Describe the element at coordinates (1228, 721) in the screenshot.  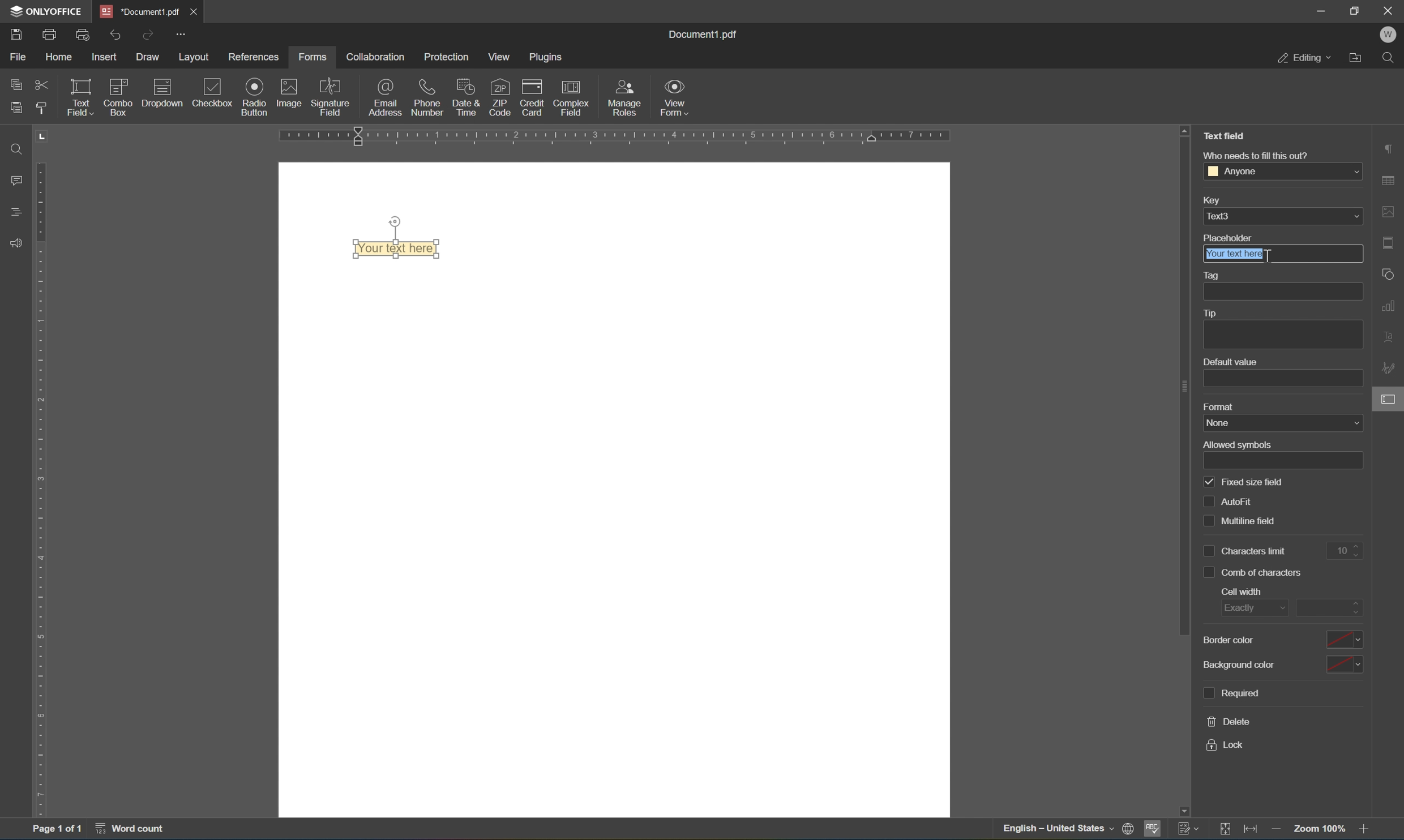
I see `delete` at that location.